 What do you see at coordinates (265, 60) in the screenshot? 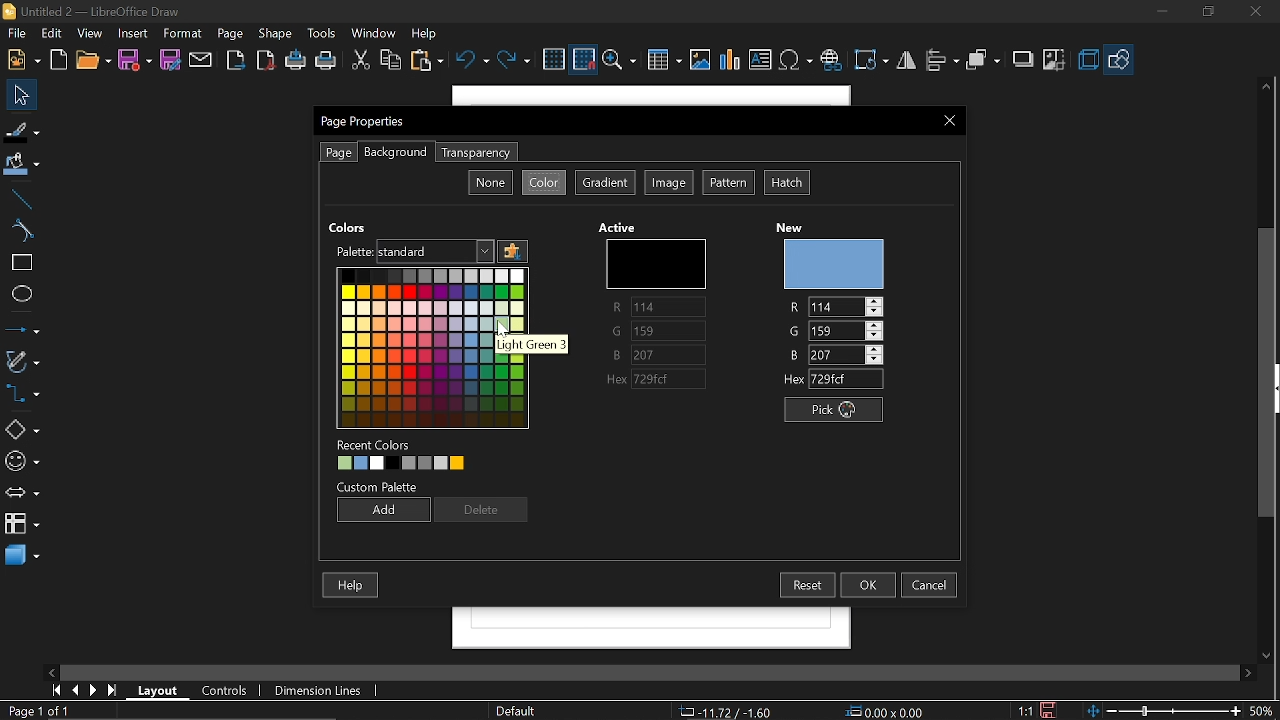
I see `Export as pdf` at bounding box center [265, 60].